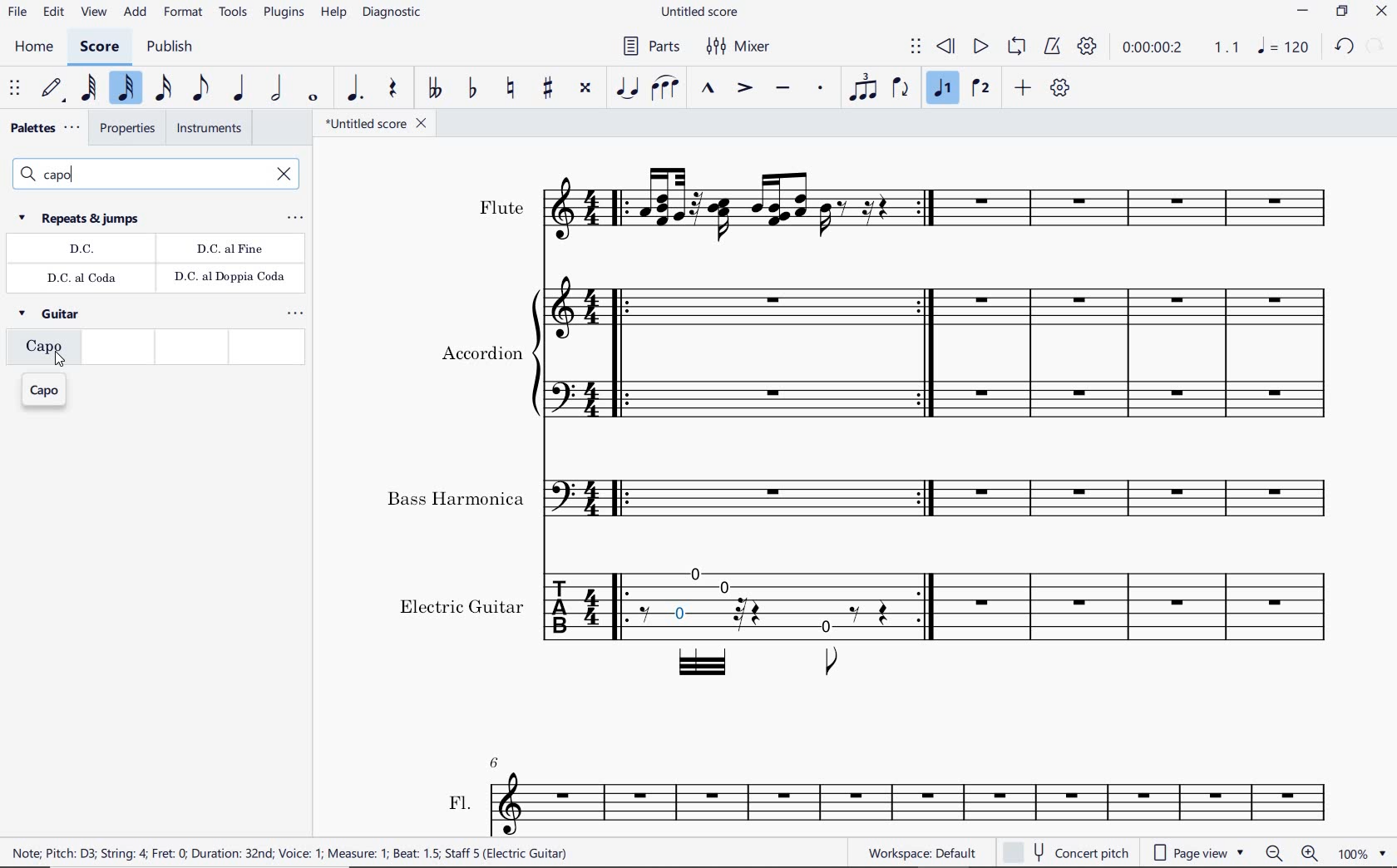  I want to click on select to move, so click(16, 89).